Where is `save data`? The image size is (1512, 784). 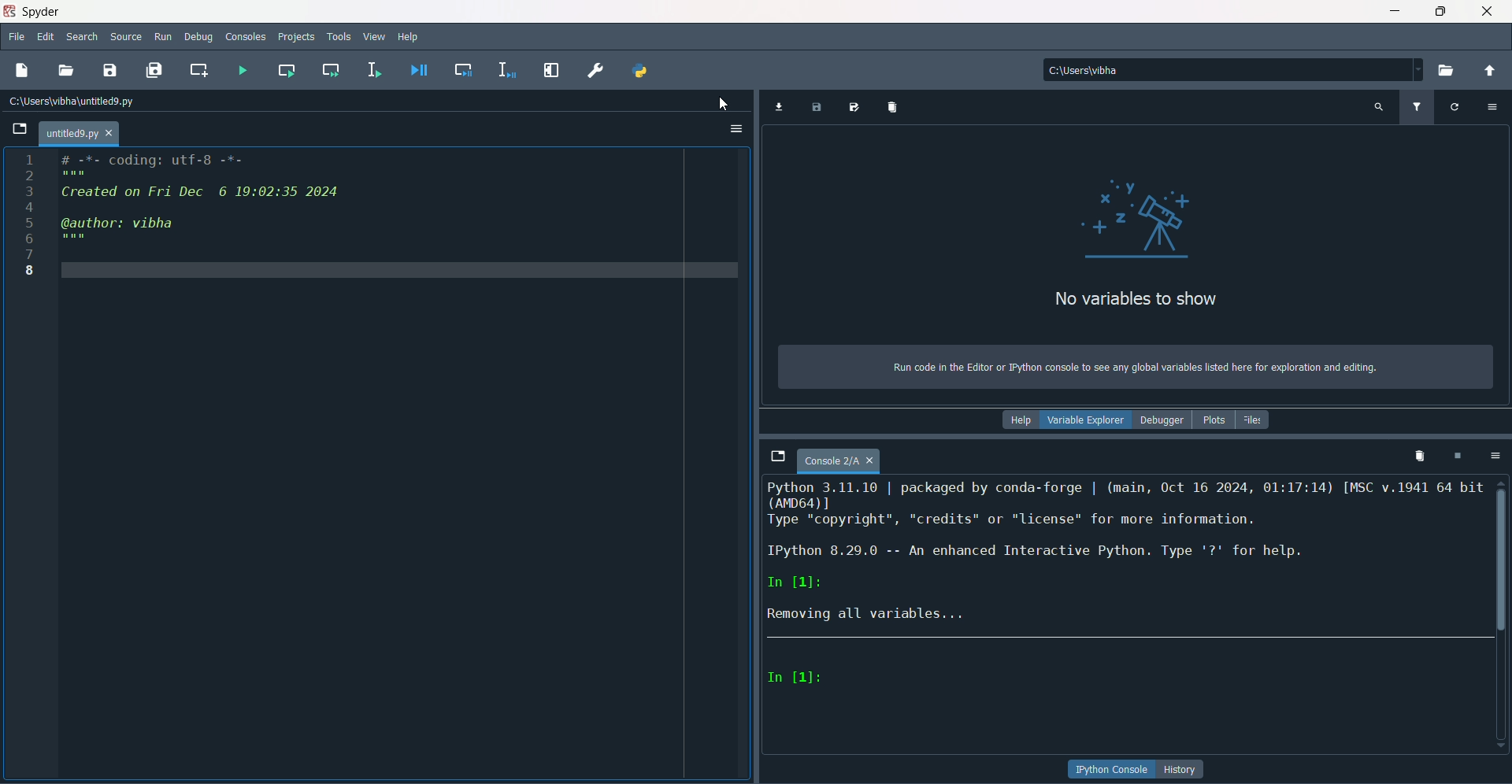
save data is located at coordinates (817, 109).